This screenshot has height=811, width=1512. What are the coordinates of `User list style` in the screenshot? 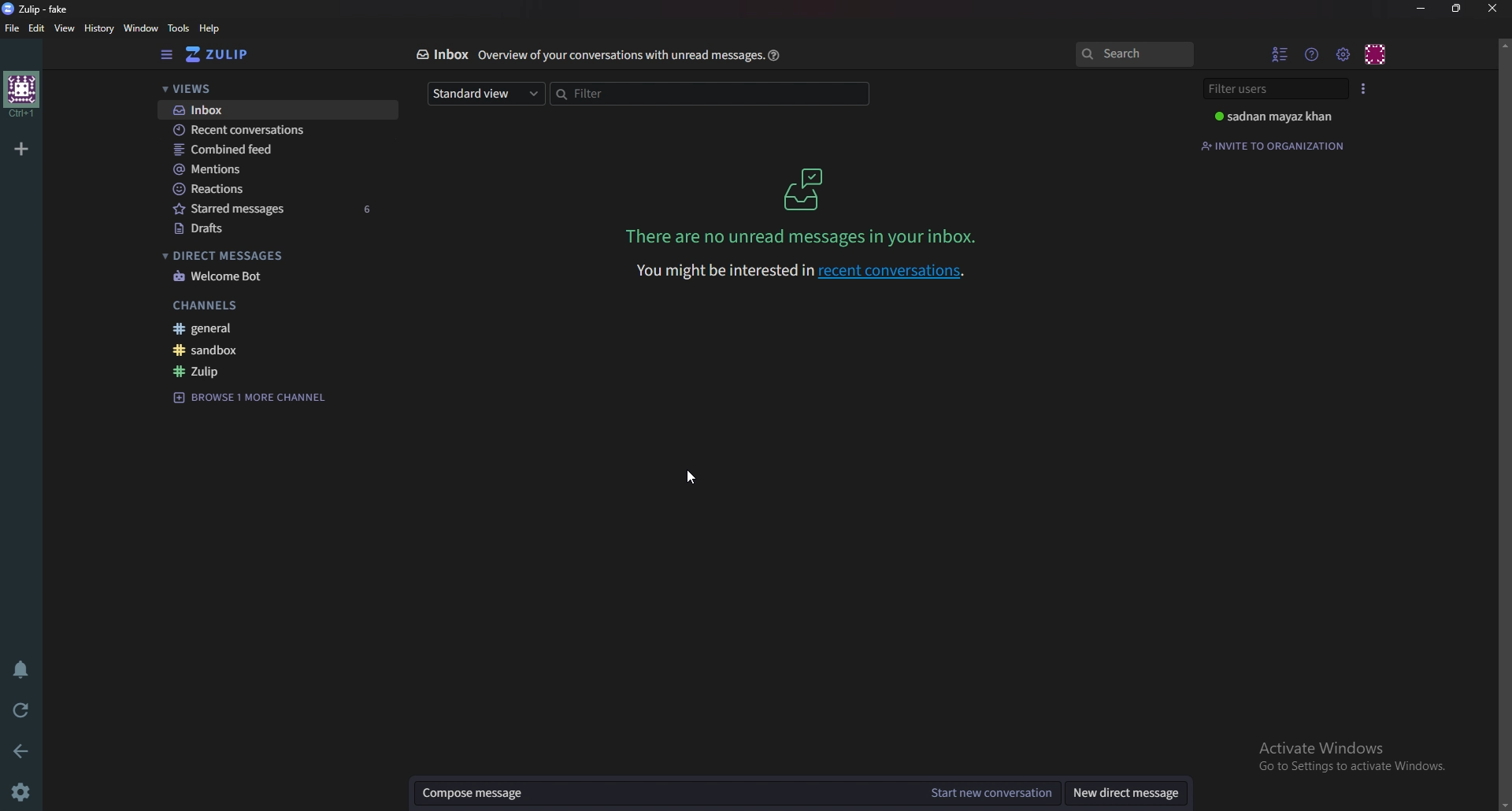 It's located at (1361, 89).